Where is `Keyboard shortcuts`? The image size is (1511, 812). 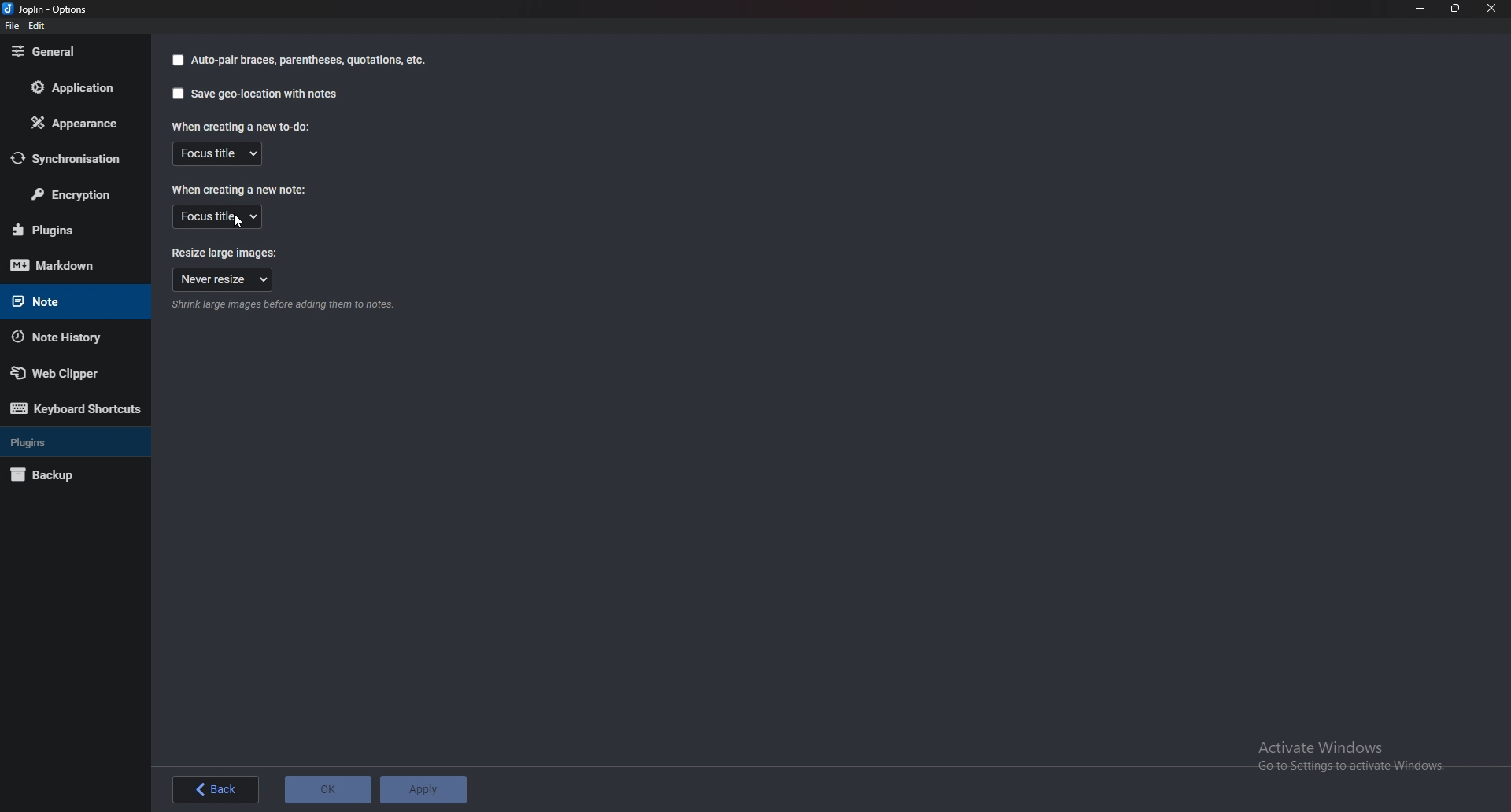
Keyboard shortcuts is located at coordinates (74, 410).